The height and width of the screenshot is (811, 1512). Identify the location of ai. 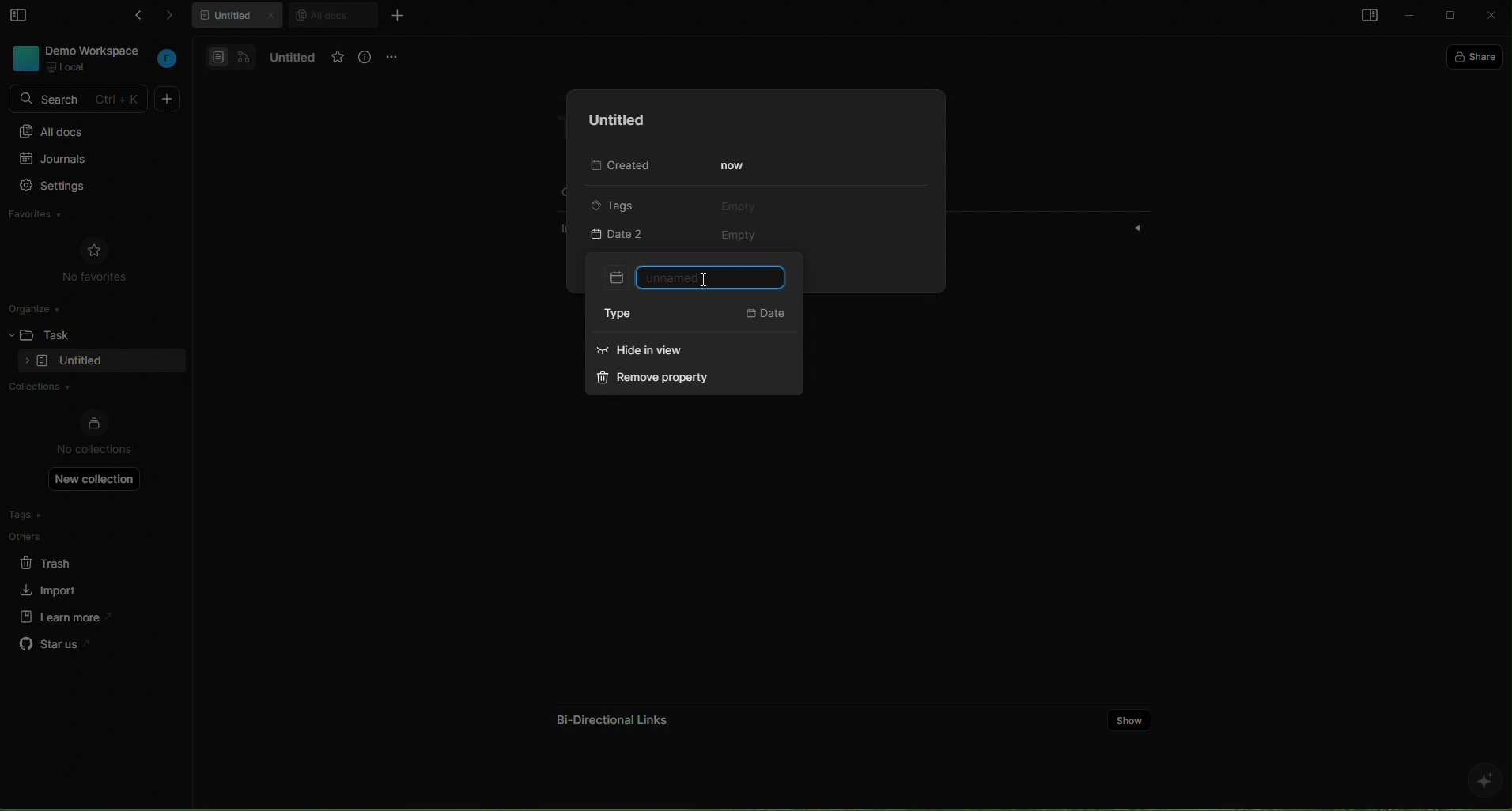
(1484, 780).